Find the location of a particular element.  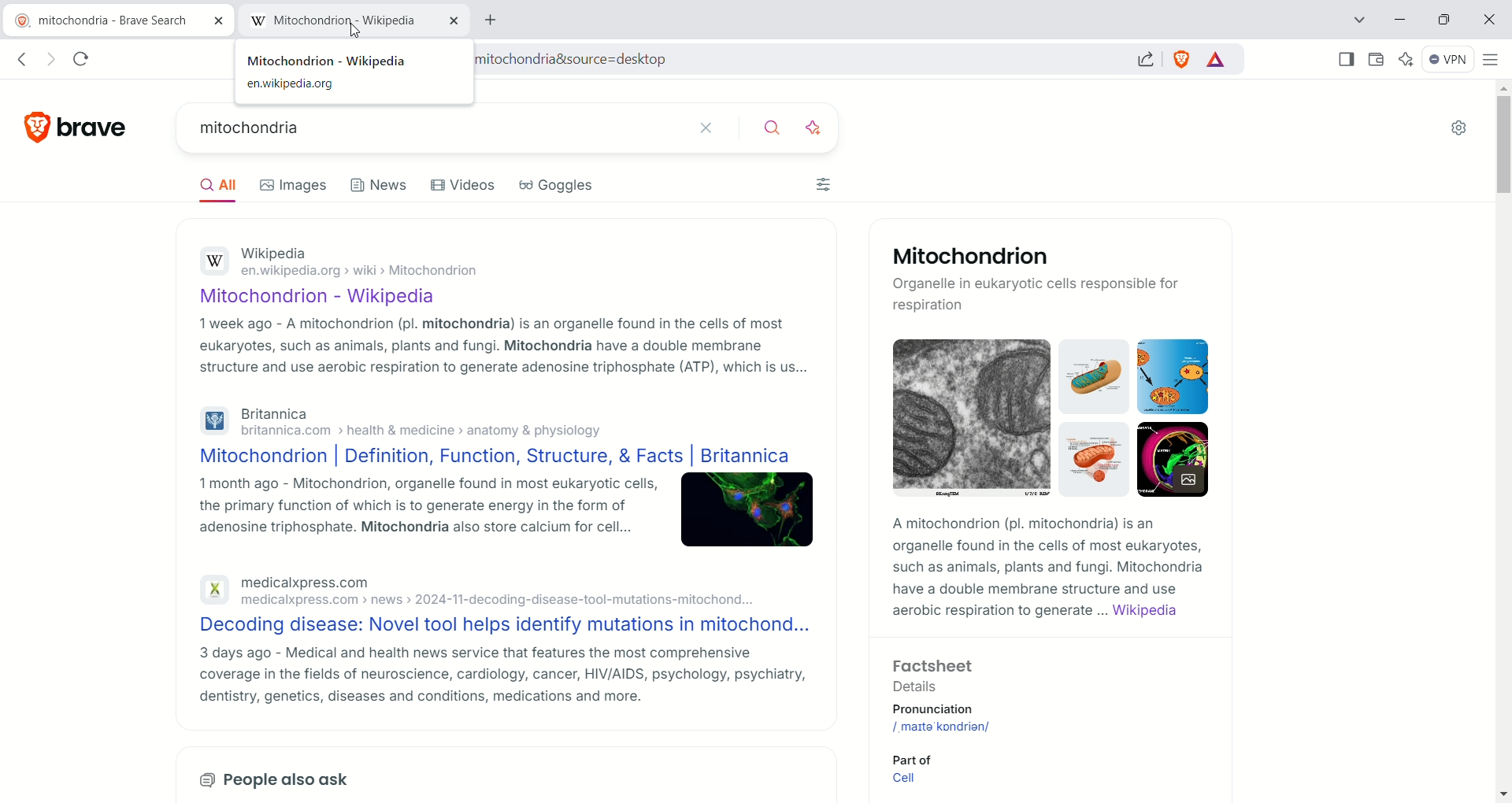

customize and control brave is located at coordinates (1492, 61).